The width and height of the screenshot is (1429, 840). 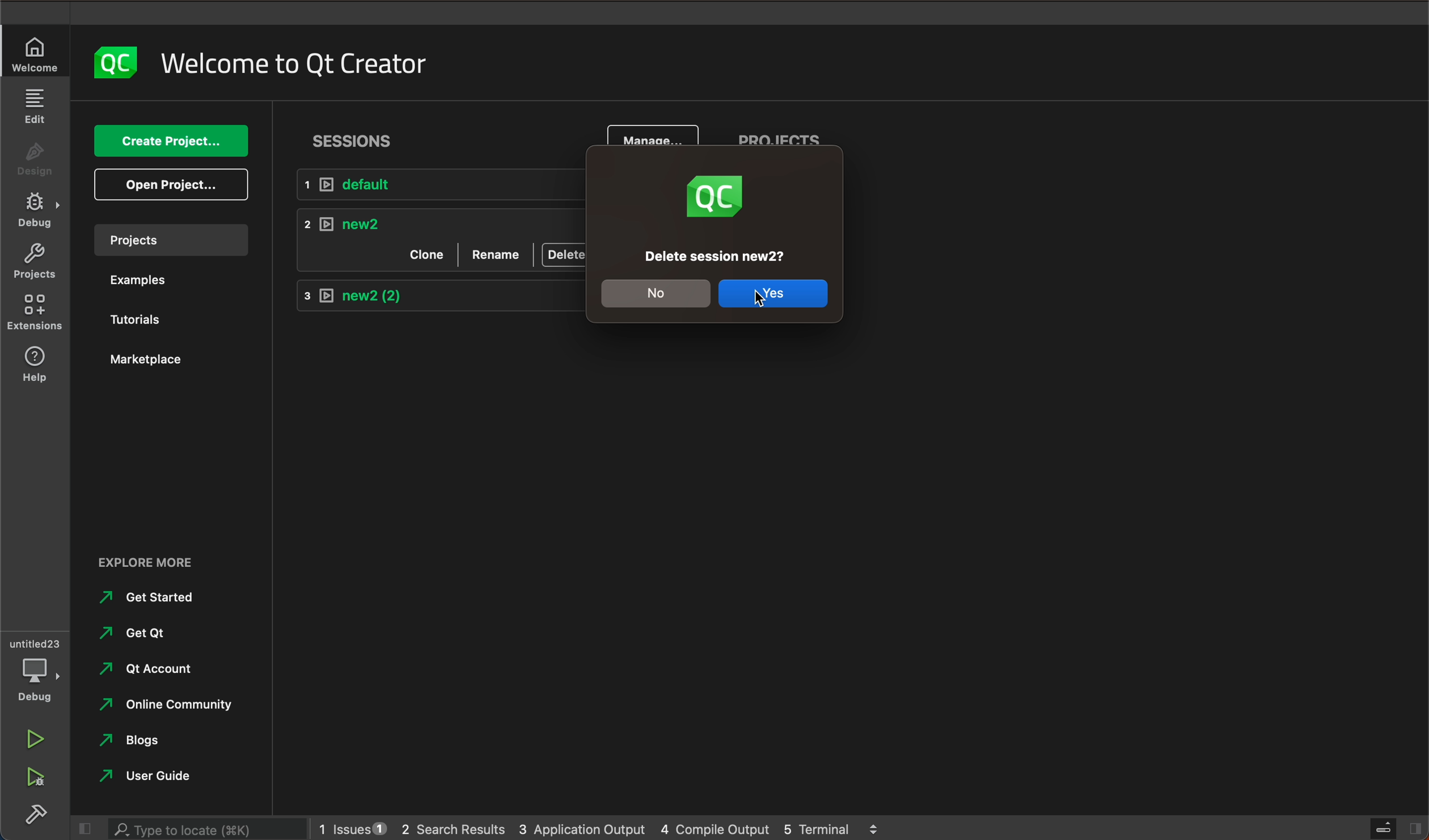 I want to click on delete message, so click(x=718, y=257).